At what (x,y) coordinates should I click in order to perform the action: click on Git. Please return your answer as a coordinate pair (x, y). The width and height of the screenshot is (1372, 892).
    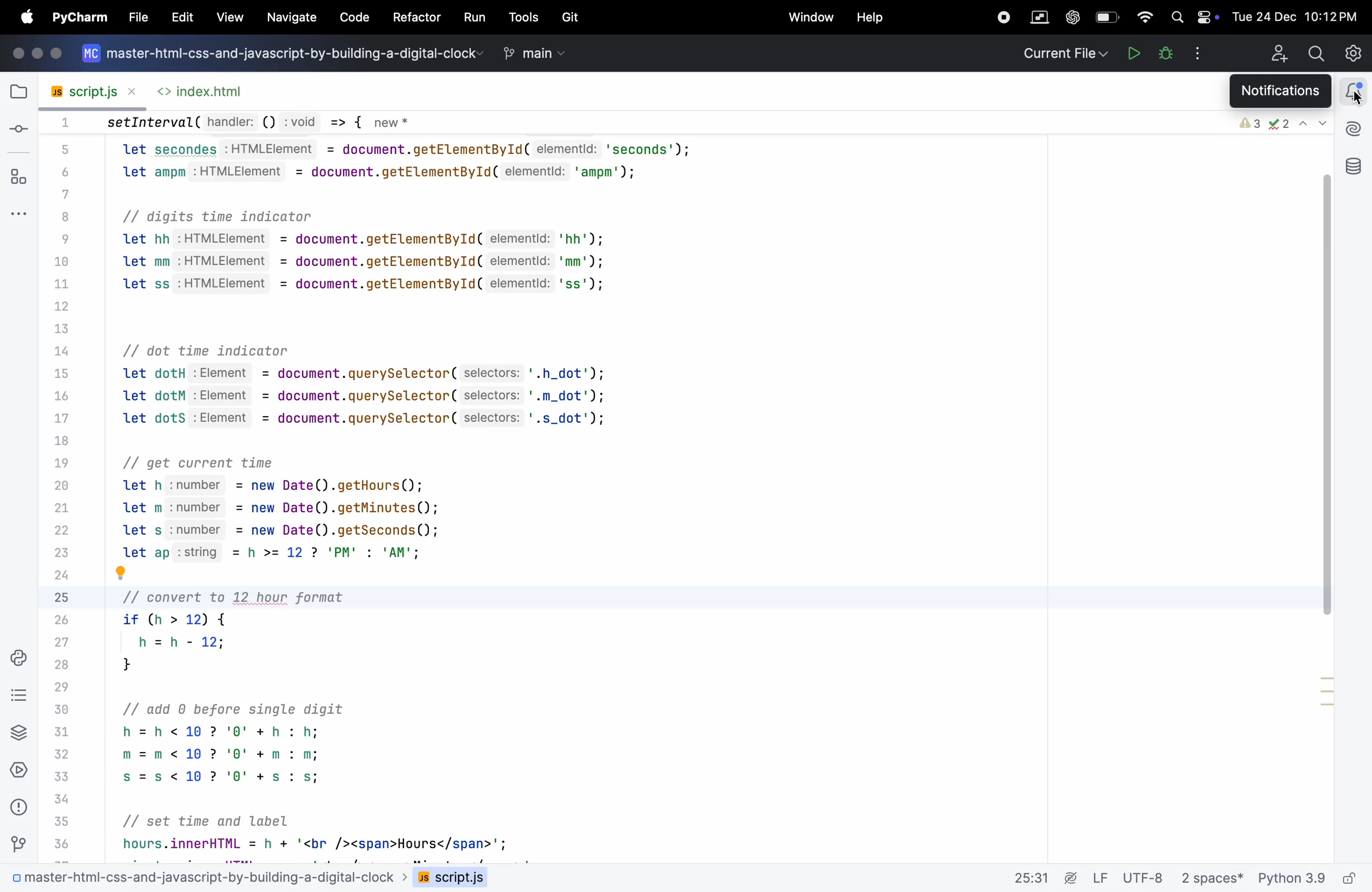
    Looking at the image, I should click on (575, 17).